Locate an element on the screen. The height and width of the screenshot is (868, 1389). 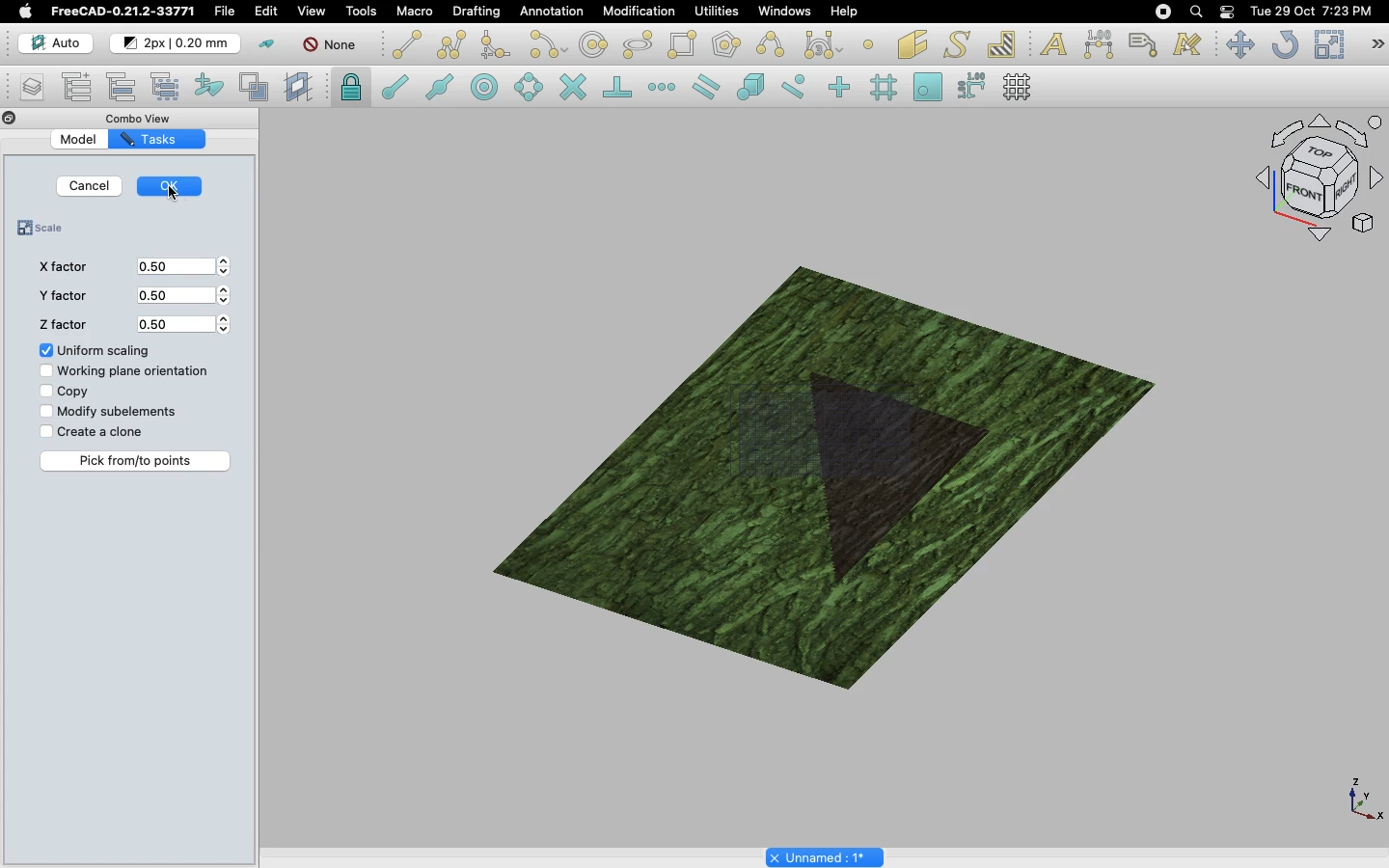
Utilities is located at coordinates (713, 12).